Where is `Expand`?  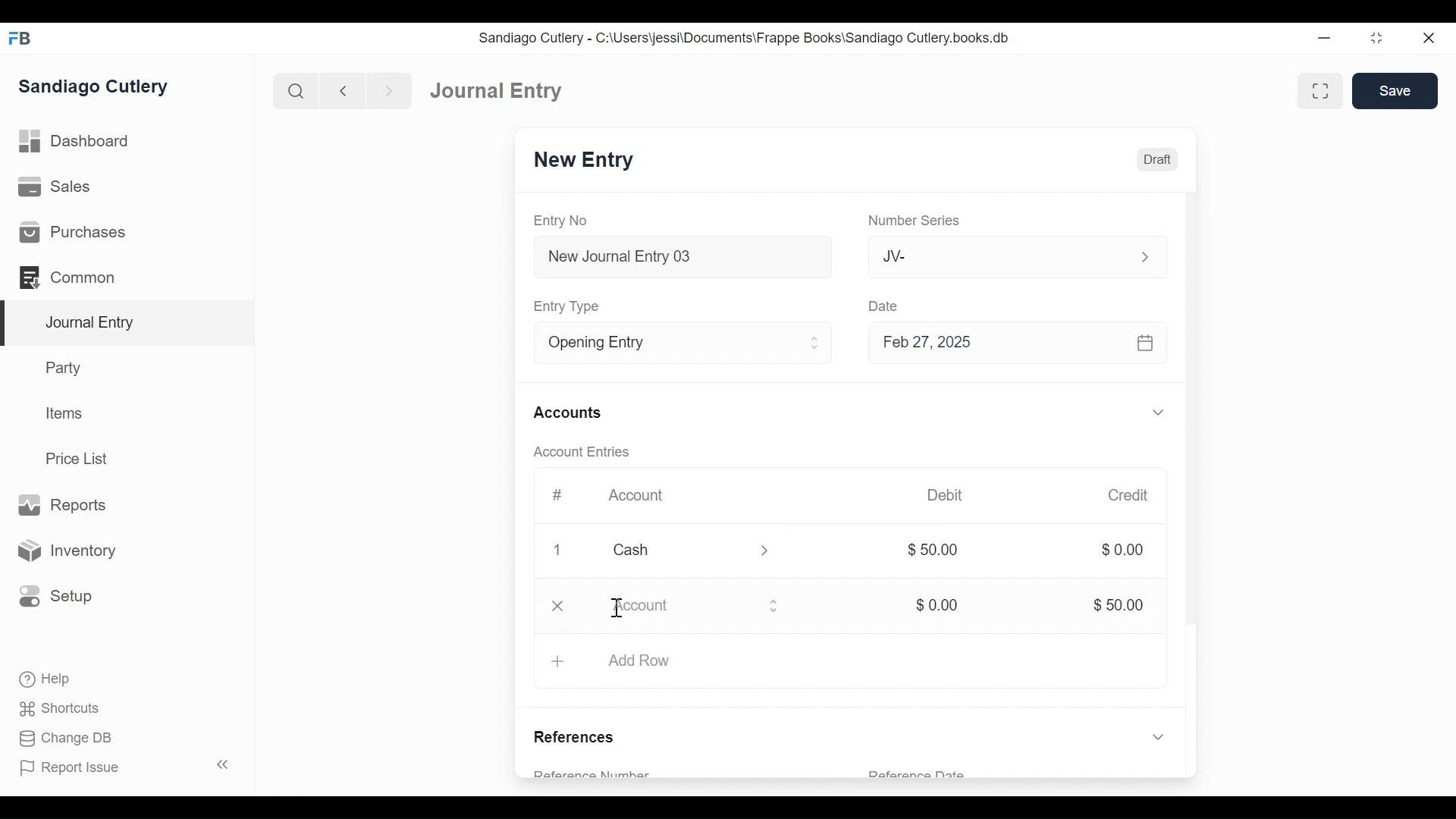
Expand is located at coordinates (766, 551).